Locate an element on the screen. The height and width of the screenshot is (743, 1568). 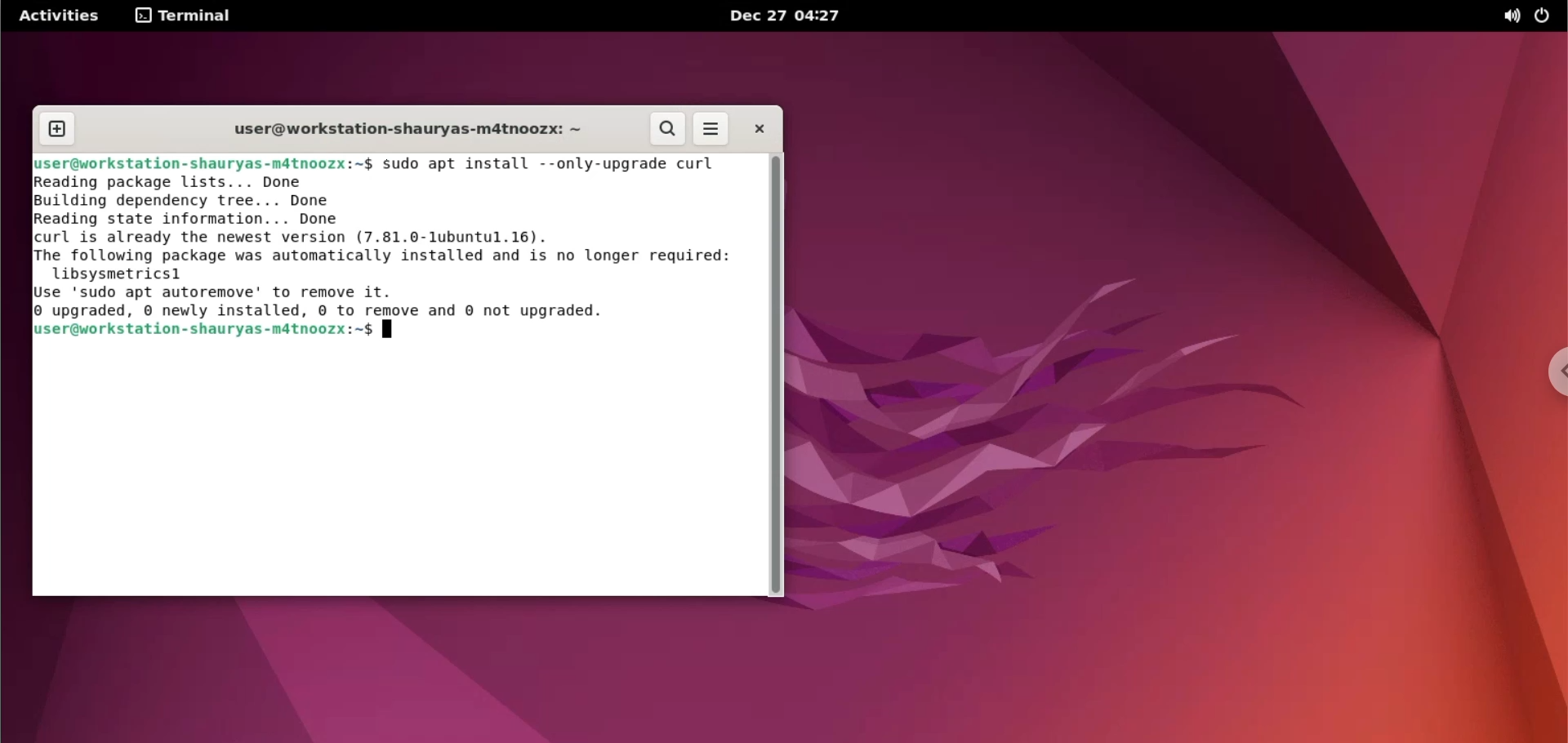
text indicator is located at coordinates (389, 331).